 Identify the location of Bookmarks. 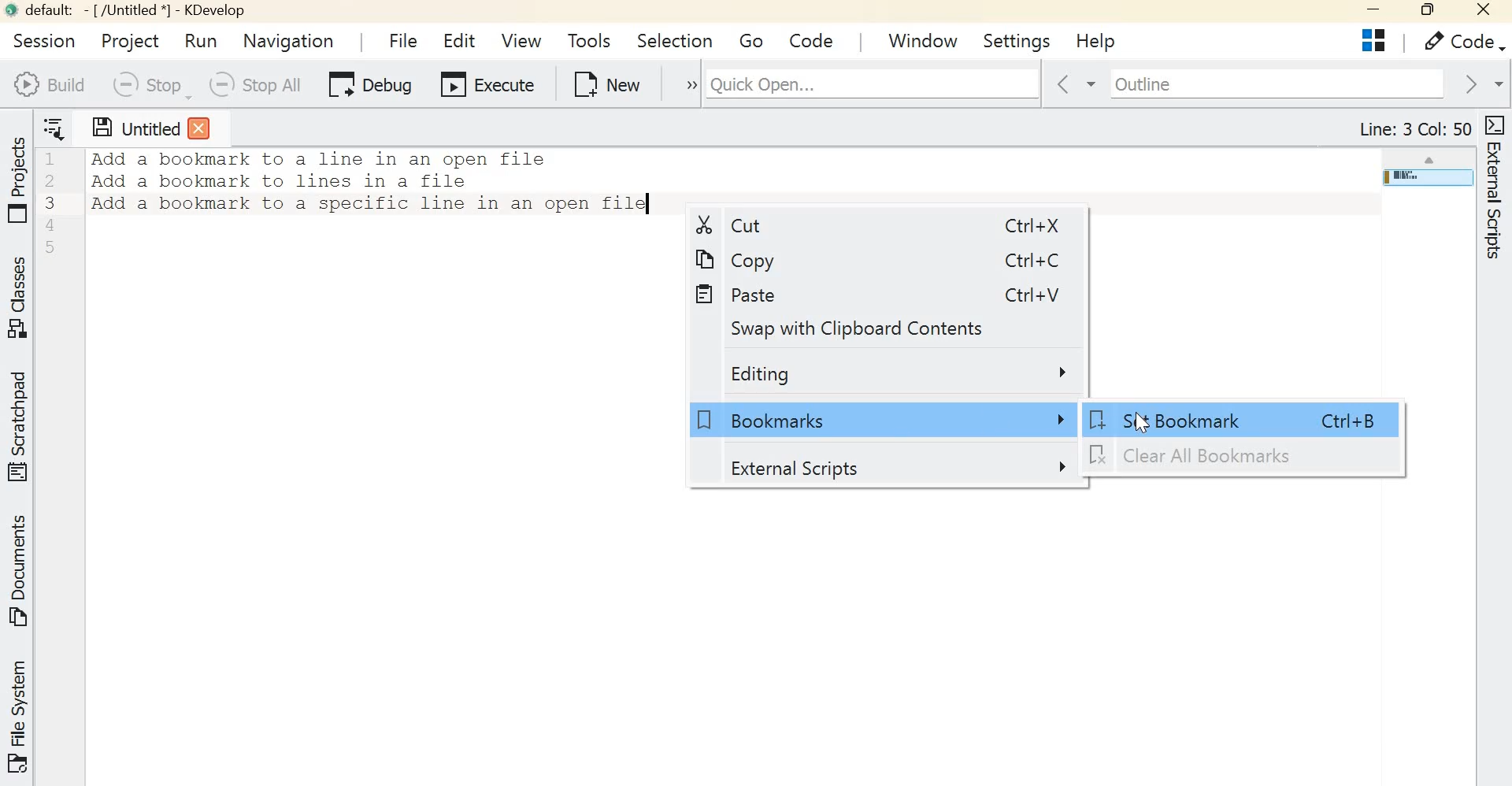
(880, 421).